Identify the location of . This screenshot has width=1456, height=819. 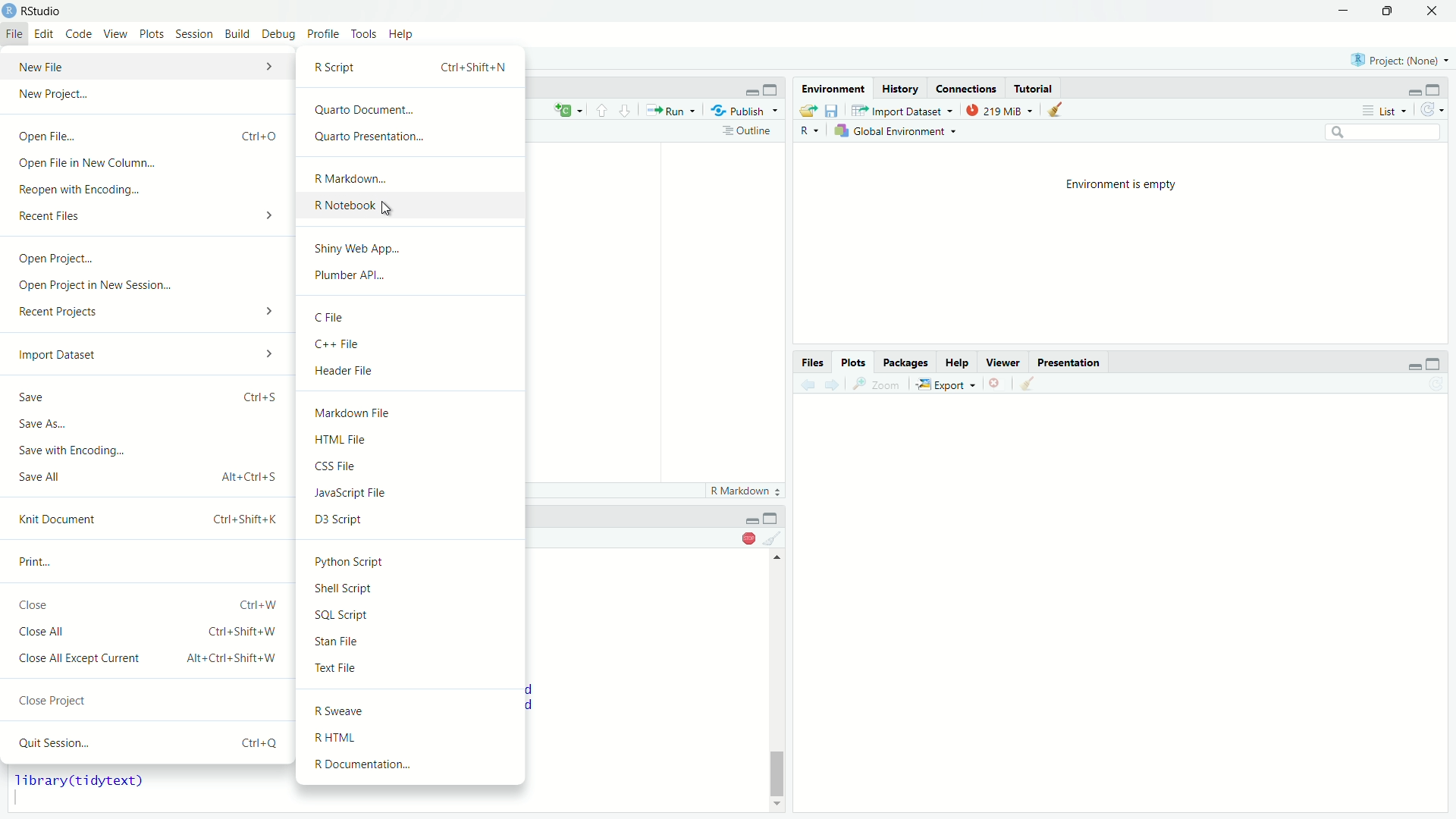
(751, 516).